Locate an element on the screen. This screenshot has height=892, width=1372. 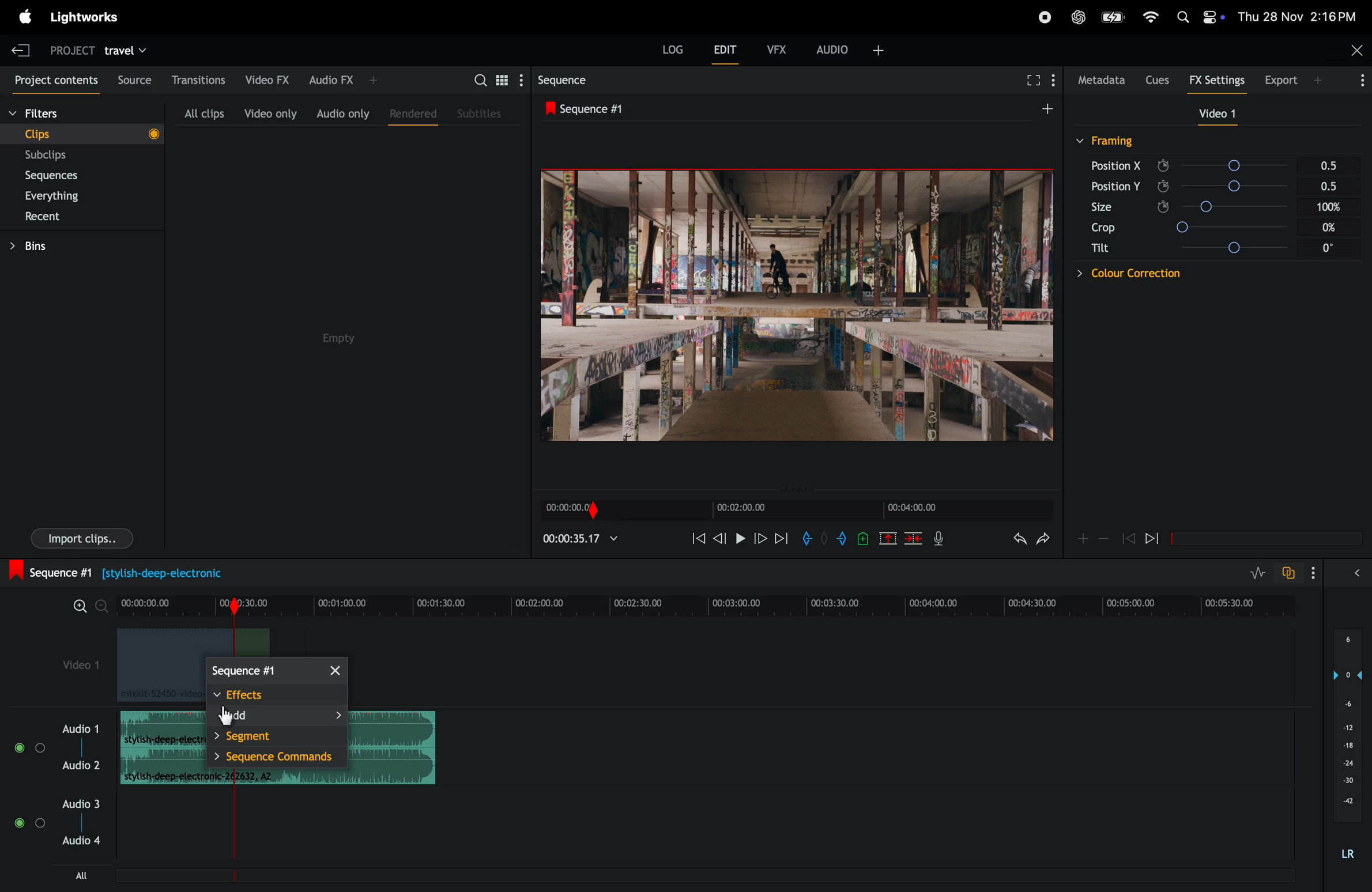
jump to next key frame is located at coordinates (1162, 539).